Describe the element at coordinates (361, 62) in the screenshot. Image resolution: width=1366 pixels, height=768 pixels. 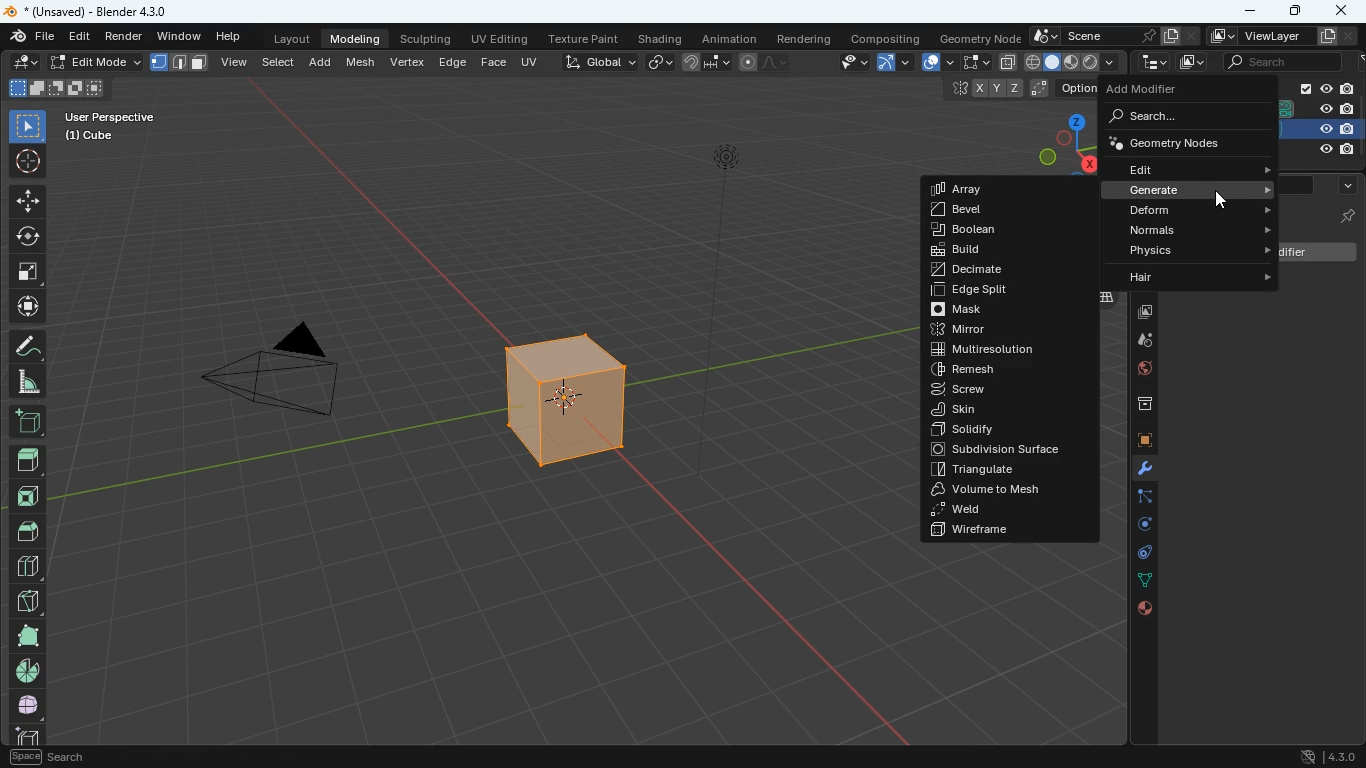
I see `mesh` at that location.